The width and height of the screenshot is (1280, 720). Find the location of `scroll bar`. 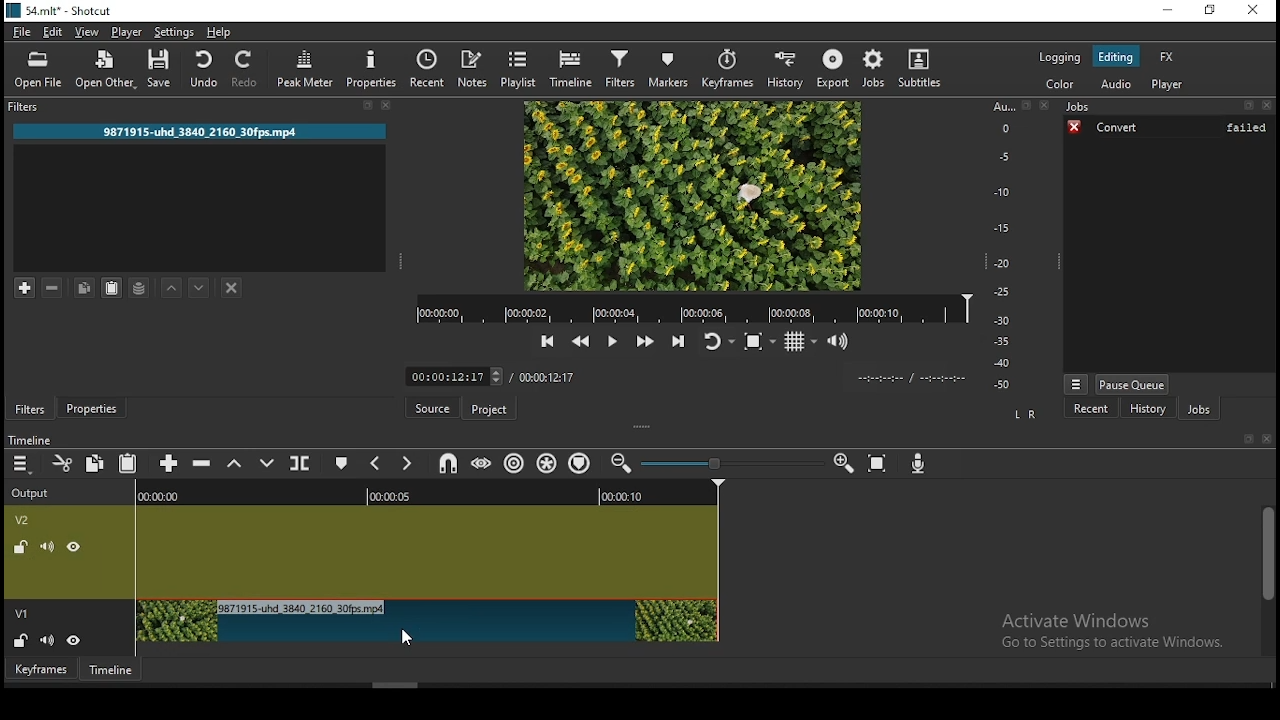

scroll bar is located at coordinates (1264, 580).